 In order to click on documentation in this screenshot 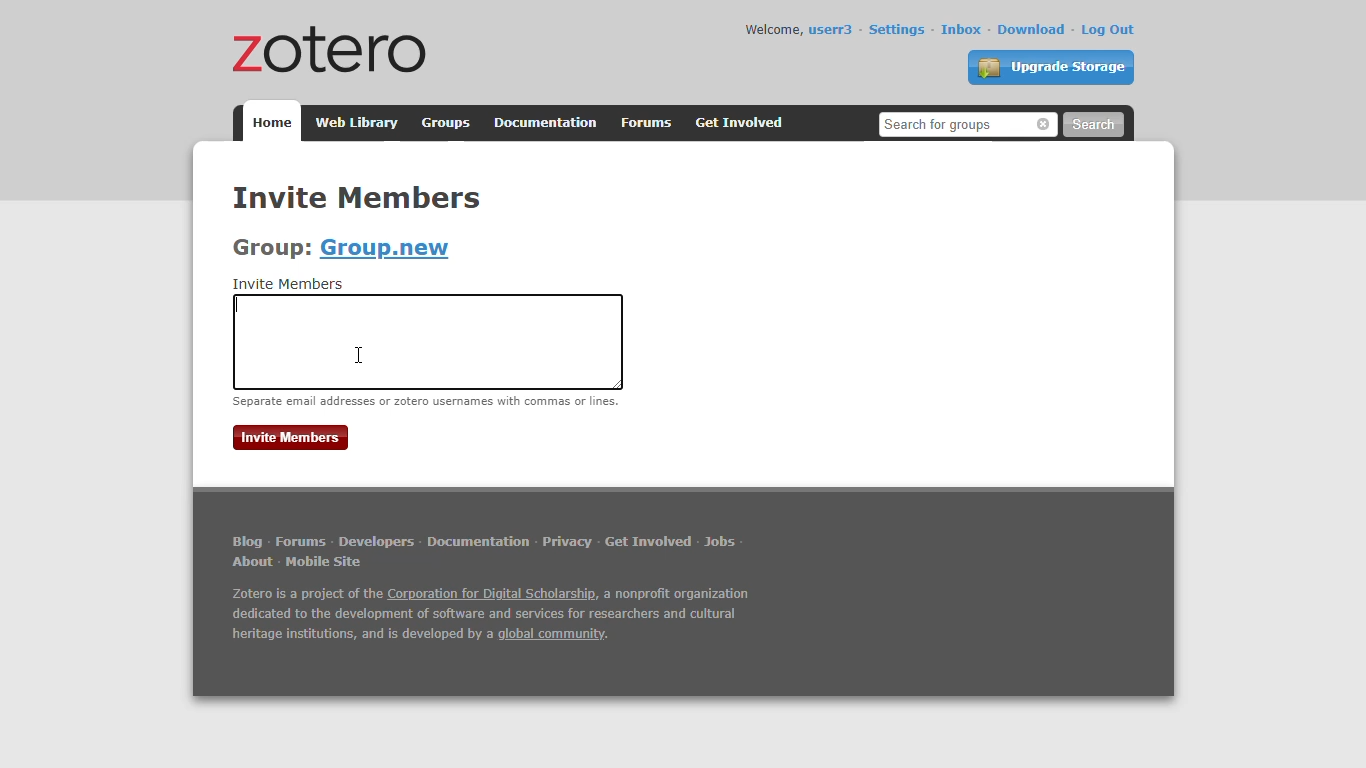, I will do `click(478, 543)`.